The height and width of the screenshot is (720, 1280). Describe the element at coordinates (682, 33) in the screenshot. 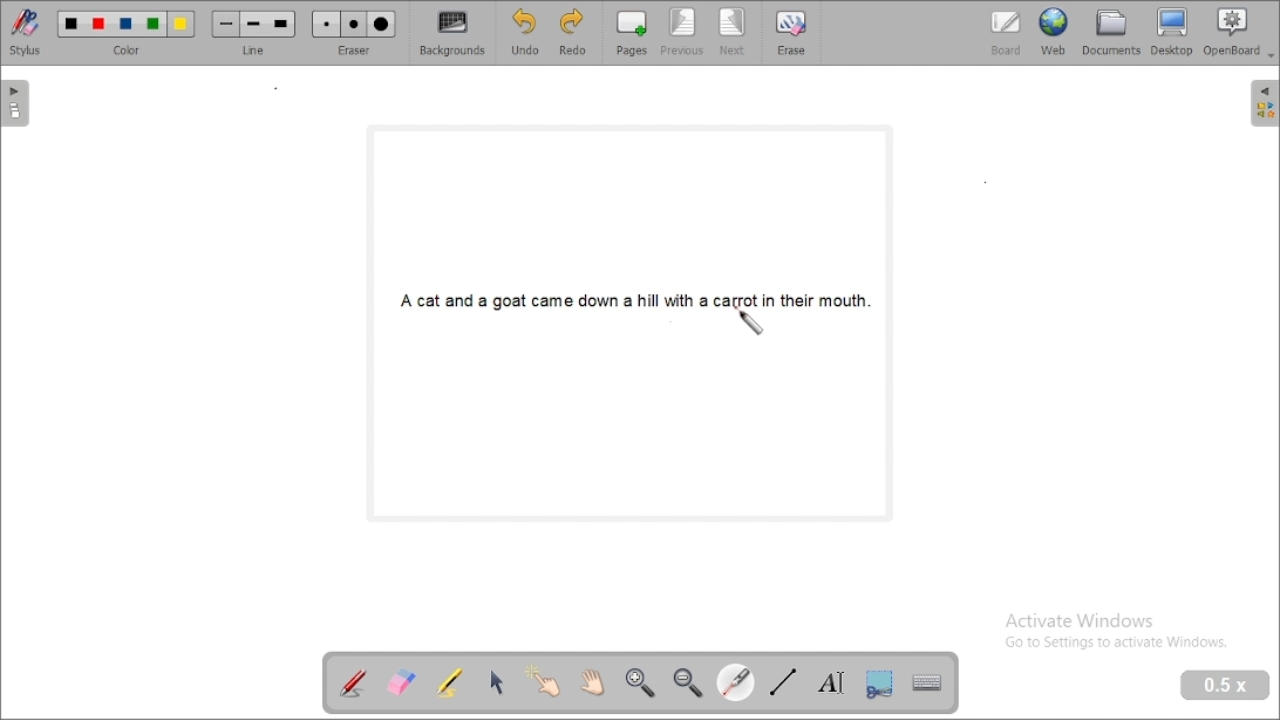

I see `previous` at that location.